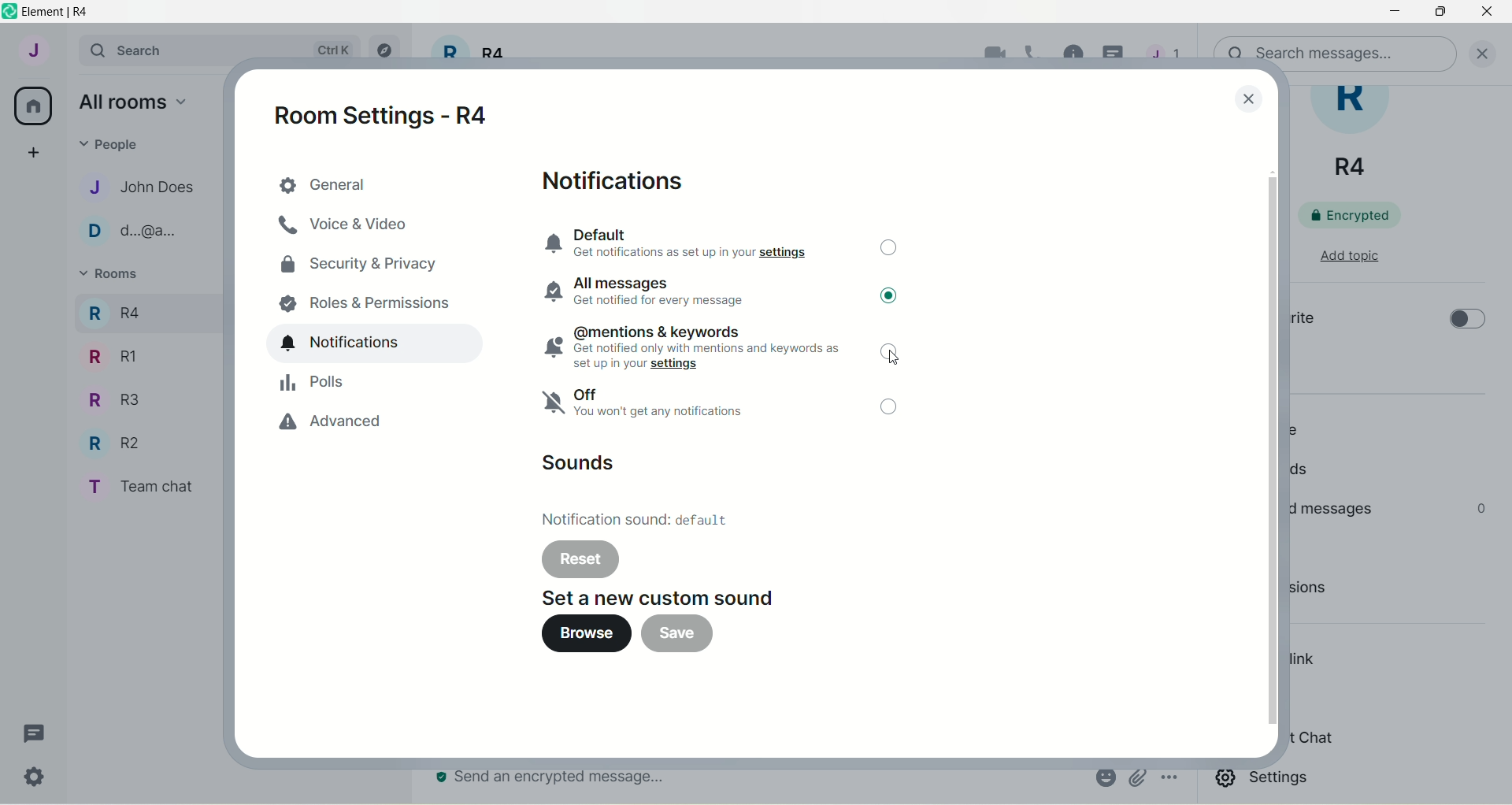 This screenshot has height=805, width=1512. Describe the element at coordinates (1311, 738) in the screenshot. I see `export chat` at that location.